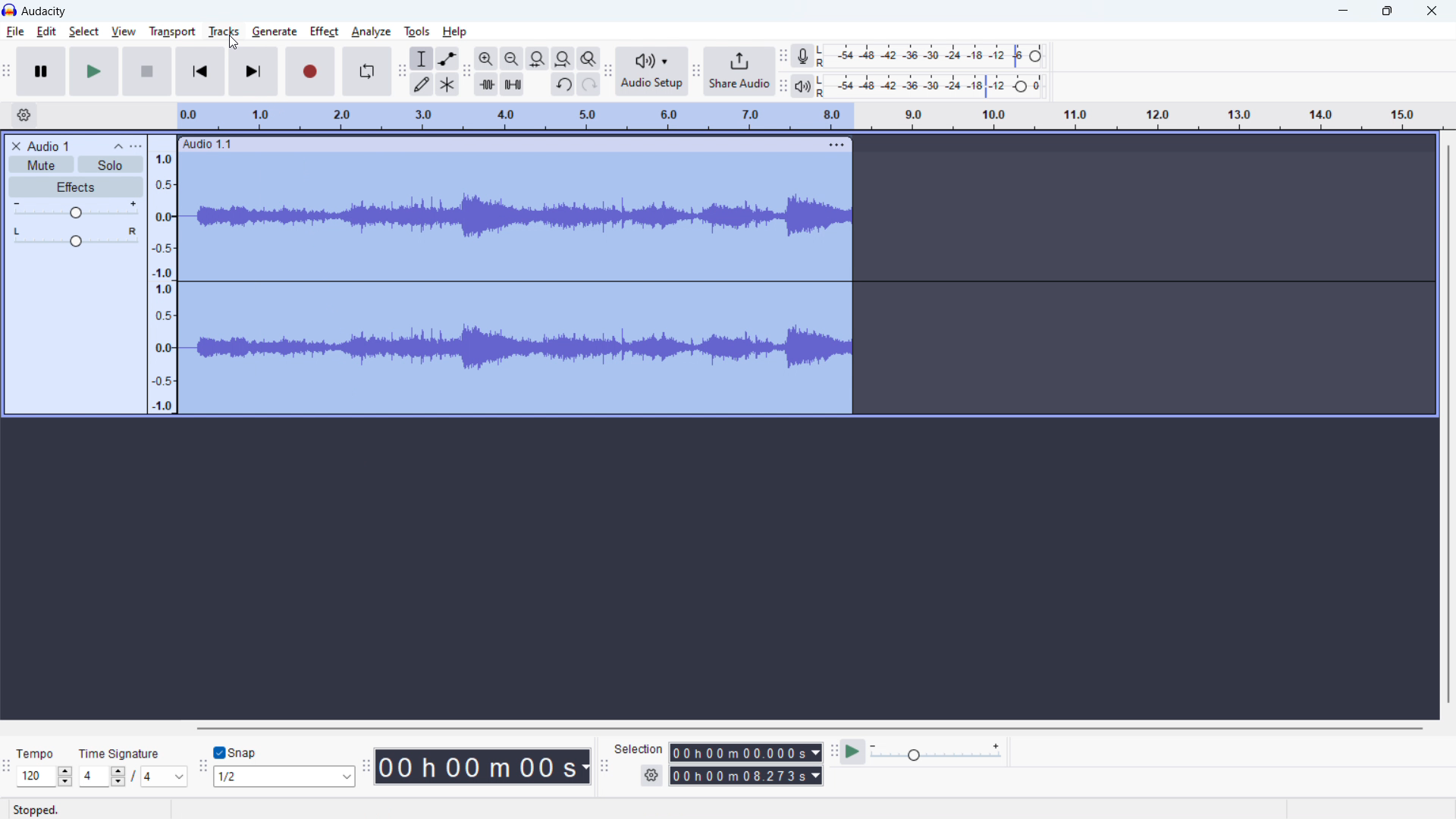  I want to click on snapping toolbar, so click(201, 765).